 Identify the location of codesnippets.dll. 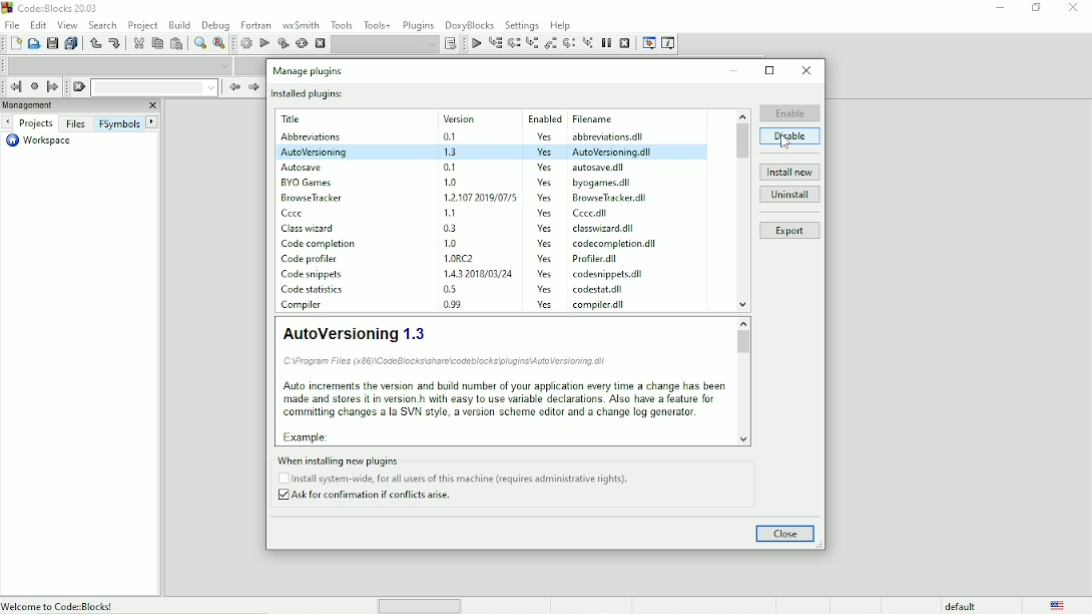
(606, 274).